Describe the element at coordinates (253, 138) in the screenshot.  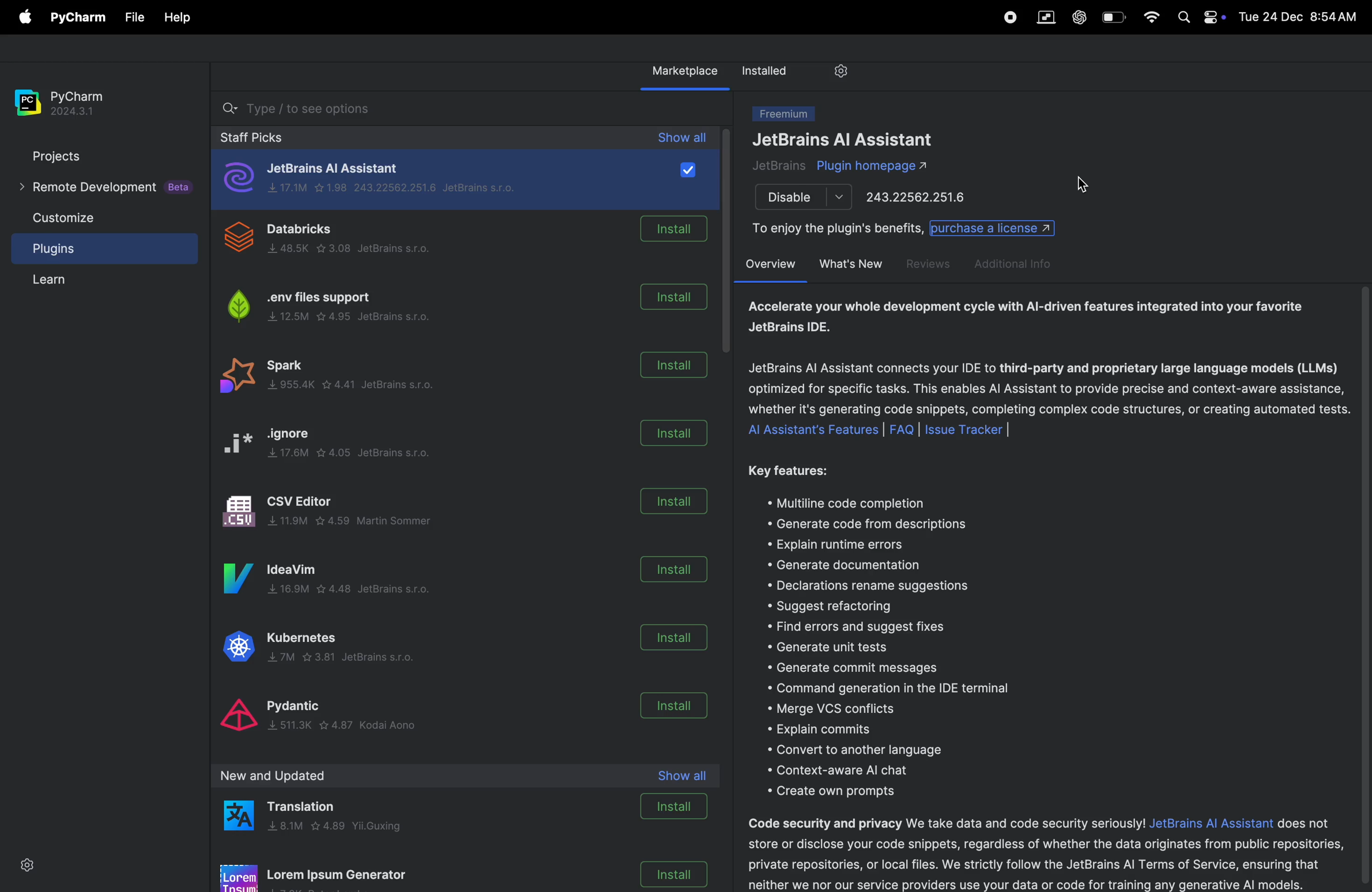
I see `staff picks` at that location.